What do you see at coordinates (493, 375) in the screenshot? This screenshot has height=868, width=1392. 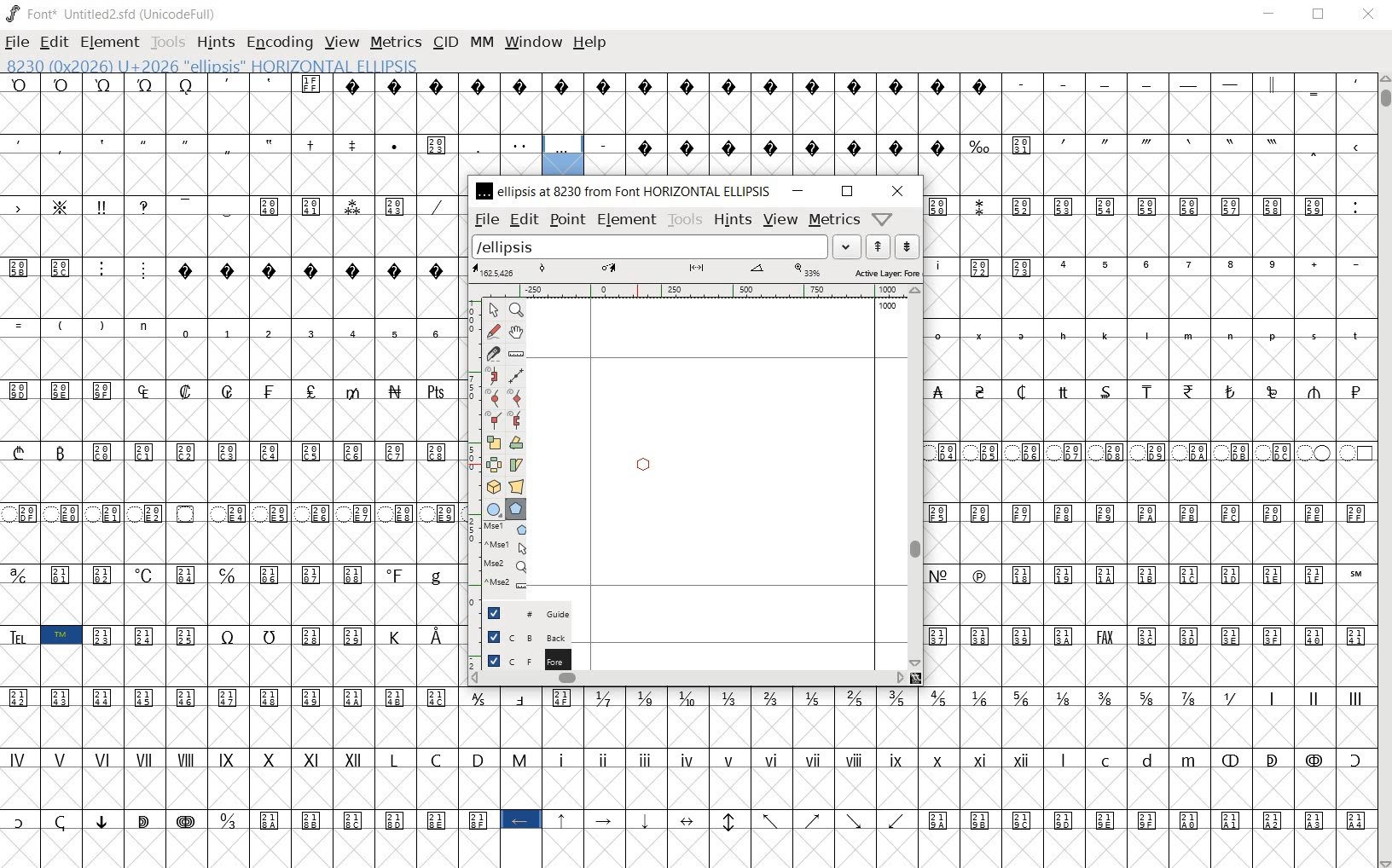 I see `change whether spiro is active or not` at bounding box center [493, 375].